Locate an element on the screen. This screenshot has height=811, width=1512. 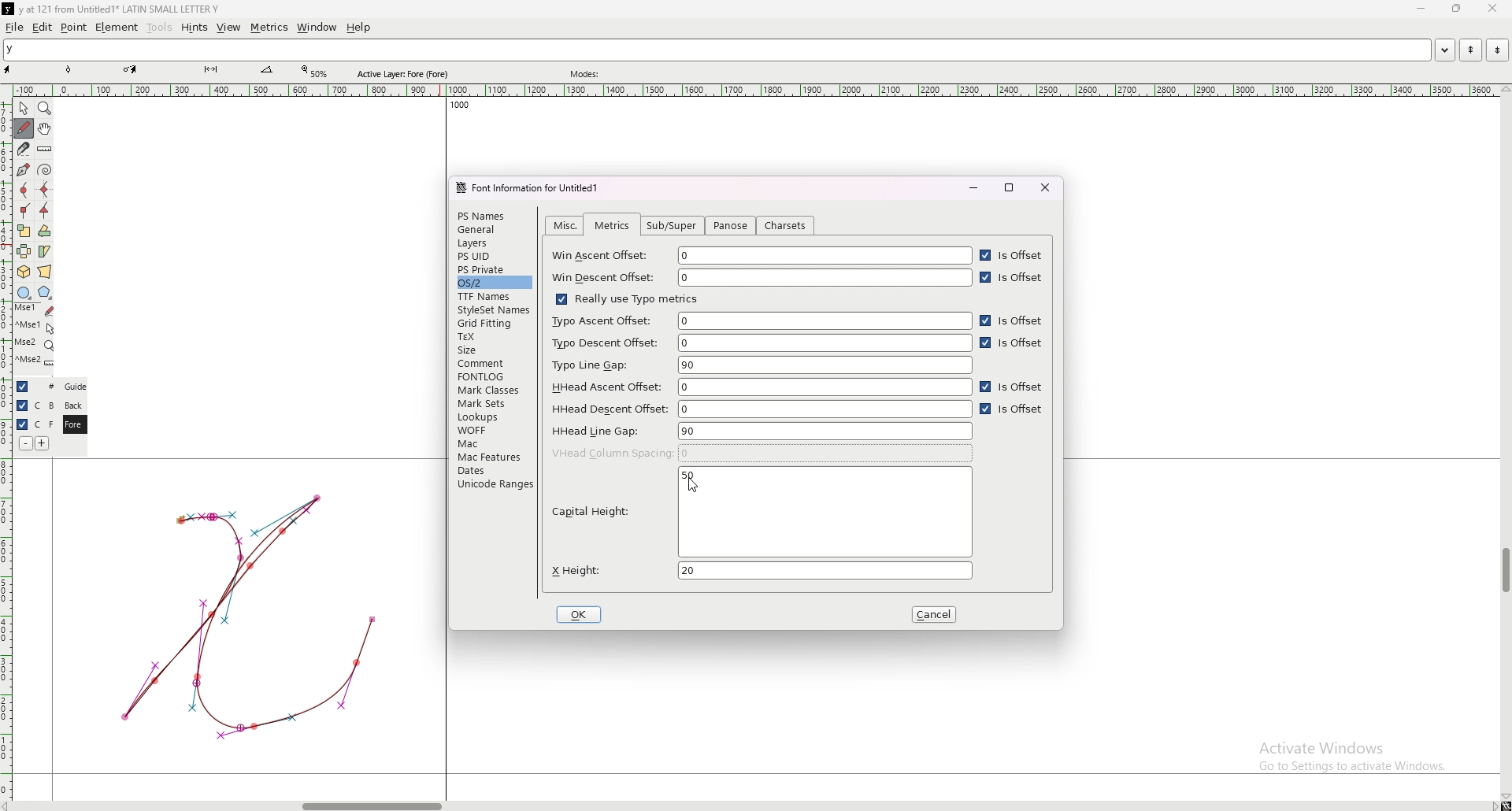
measurement tool is located at coordinates (267, 70).